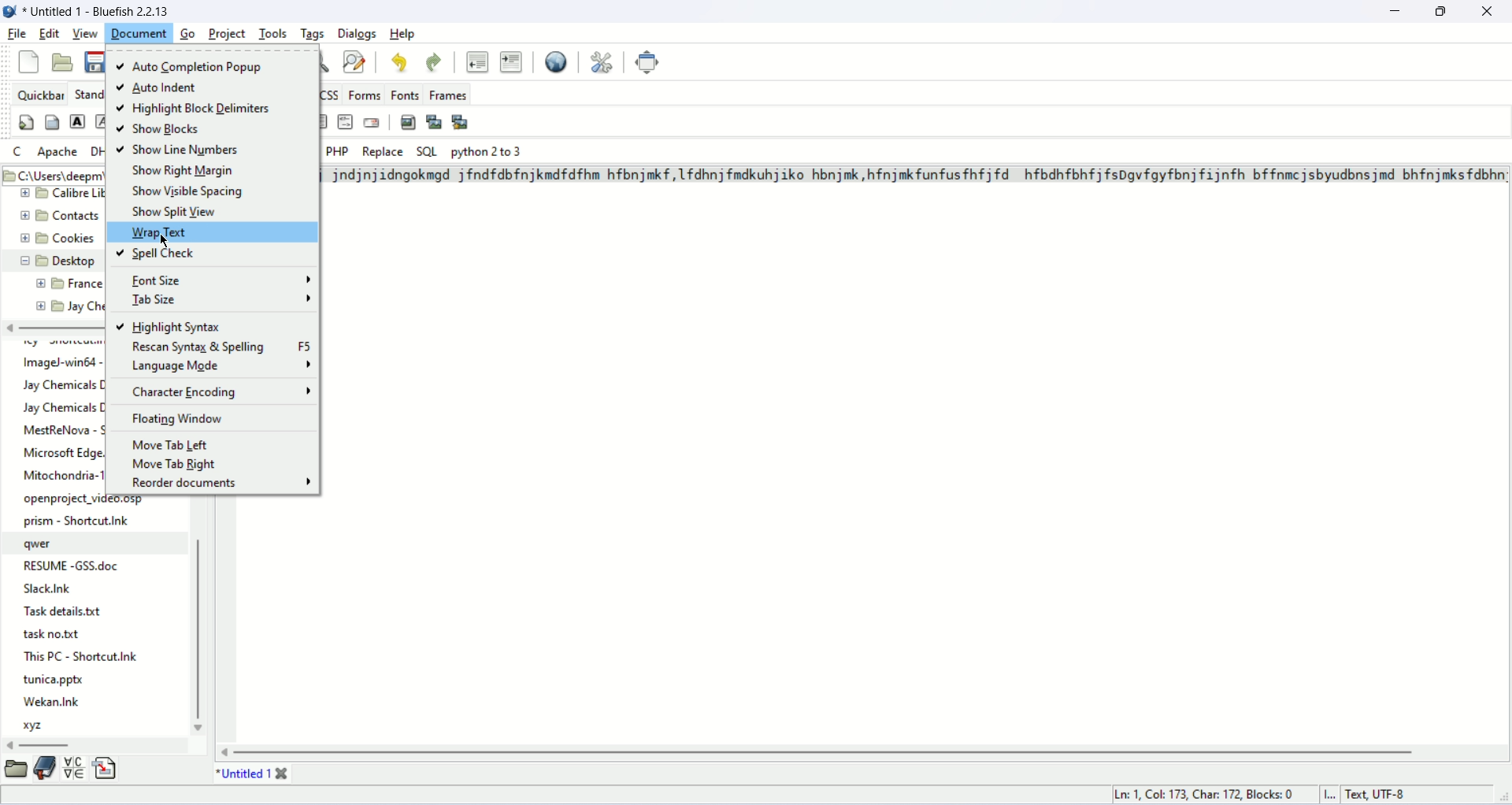  Describe the element at coordinates (55, 681) in the screenshot. I see `tunica.pptx` at that location.